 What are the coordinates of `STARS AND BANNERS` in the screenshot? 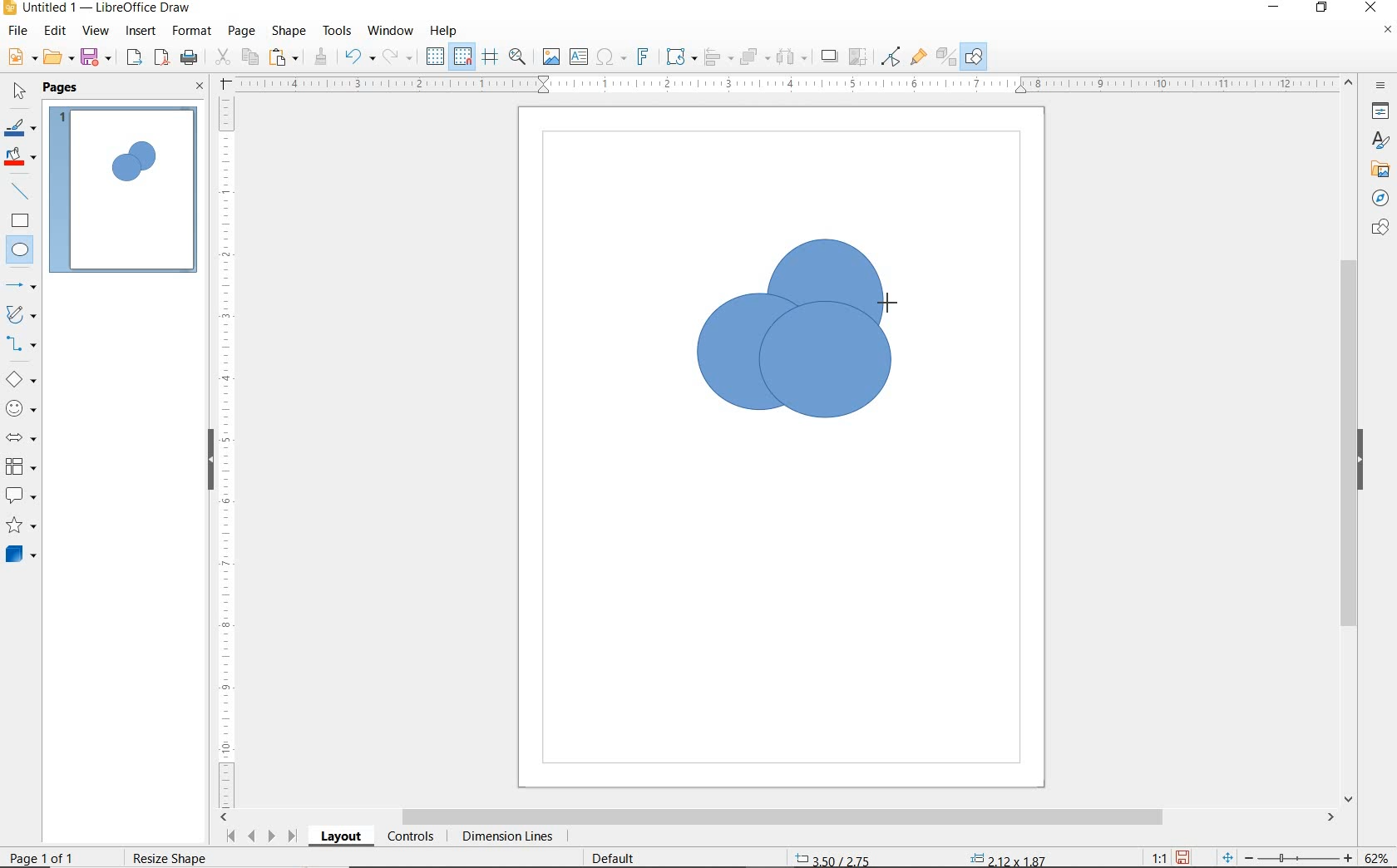 It's located at (21, 527).